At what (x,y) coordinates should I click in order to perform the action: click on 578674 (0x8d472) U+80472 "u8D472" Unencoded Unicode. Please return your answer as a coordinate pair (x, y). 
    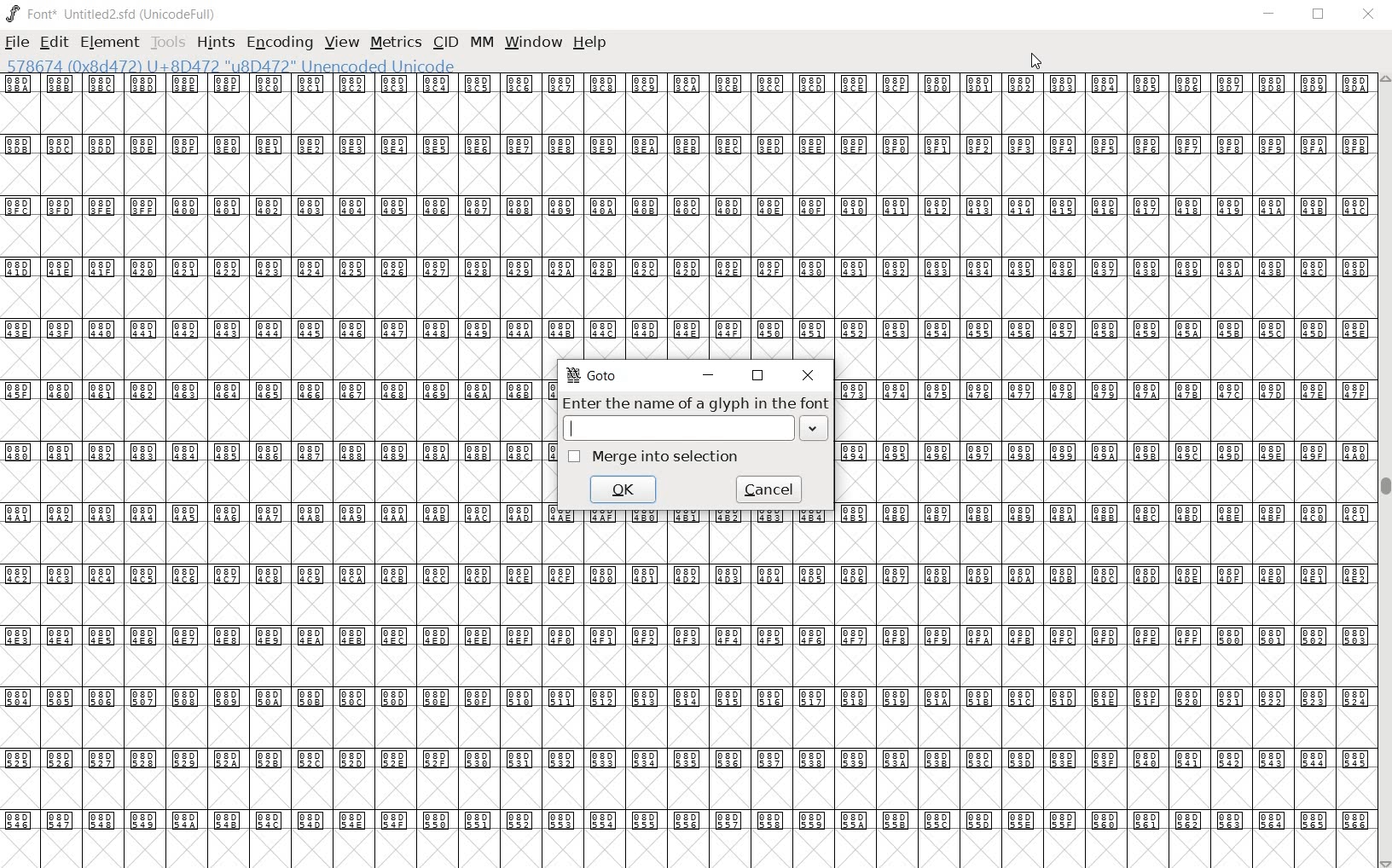
    Looking at the image, I should click on (232, 67).